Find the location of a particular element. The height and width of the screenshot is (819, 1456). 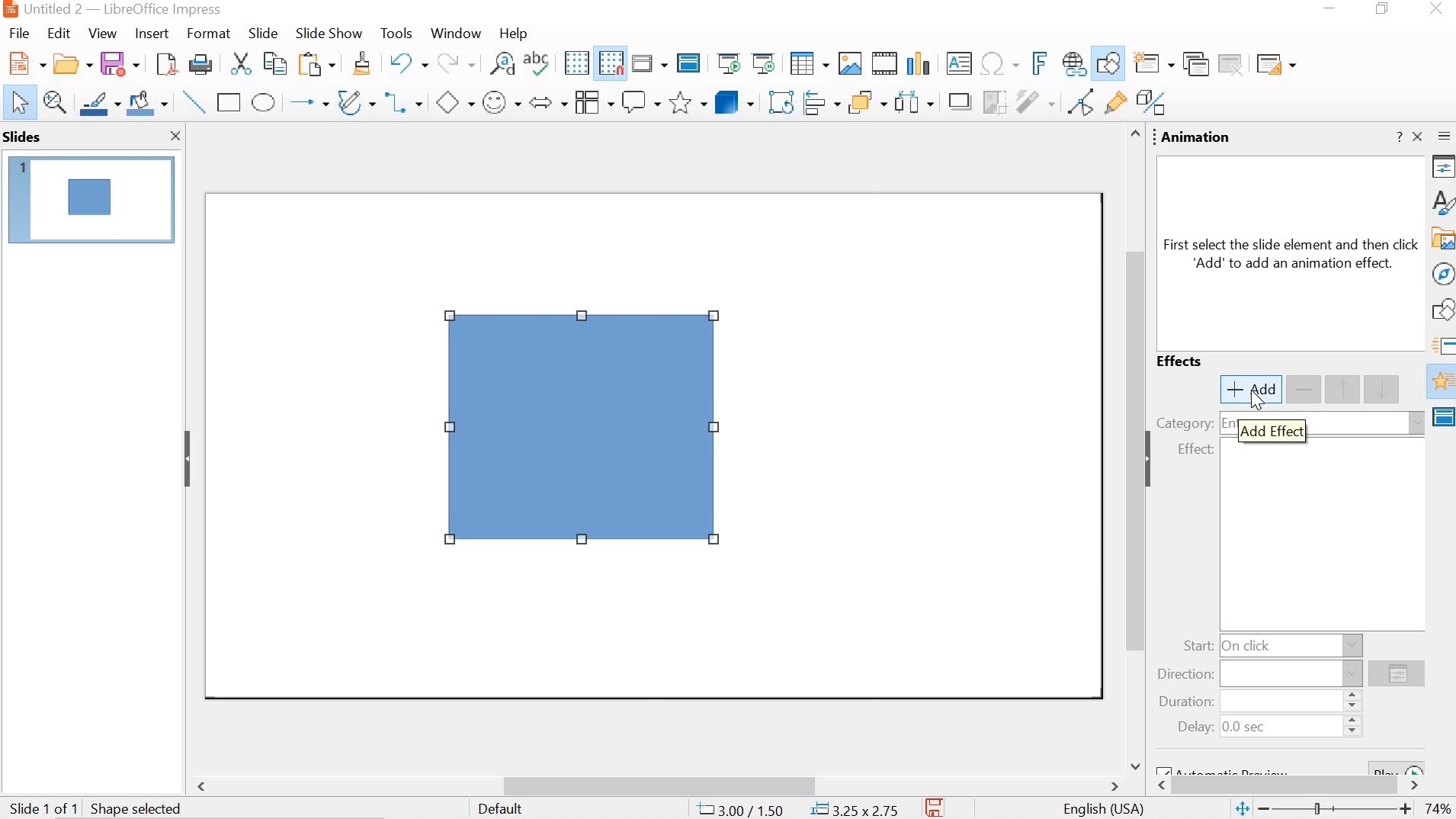

help is located at coordinates (1399, 138).